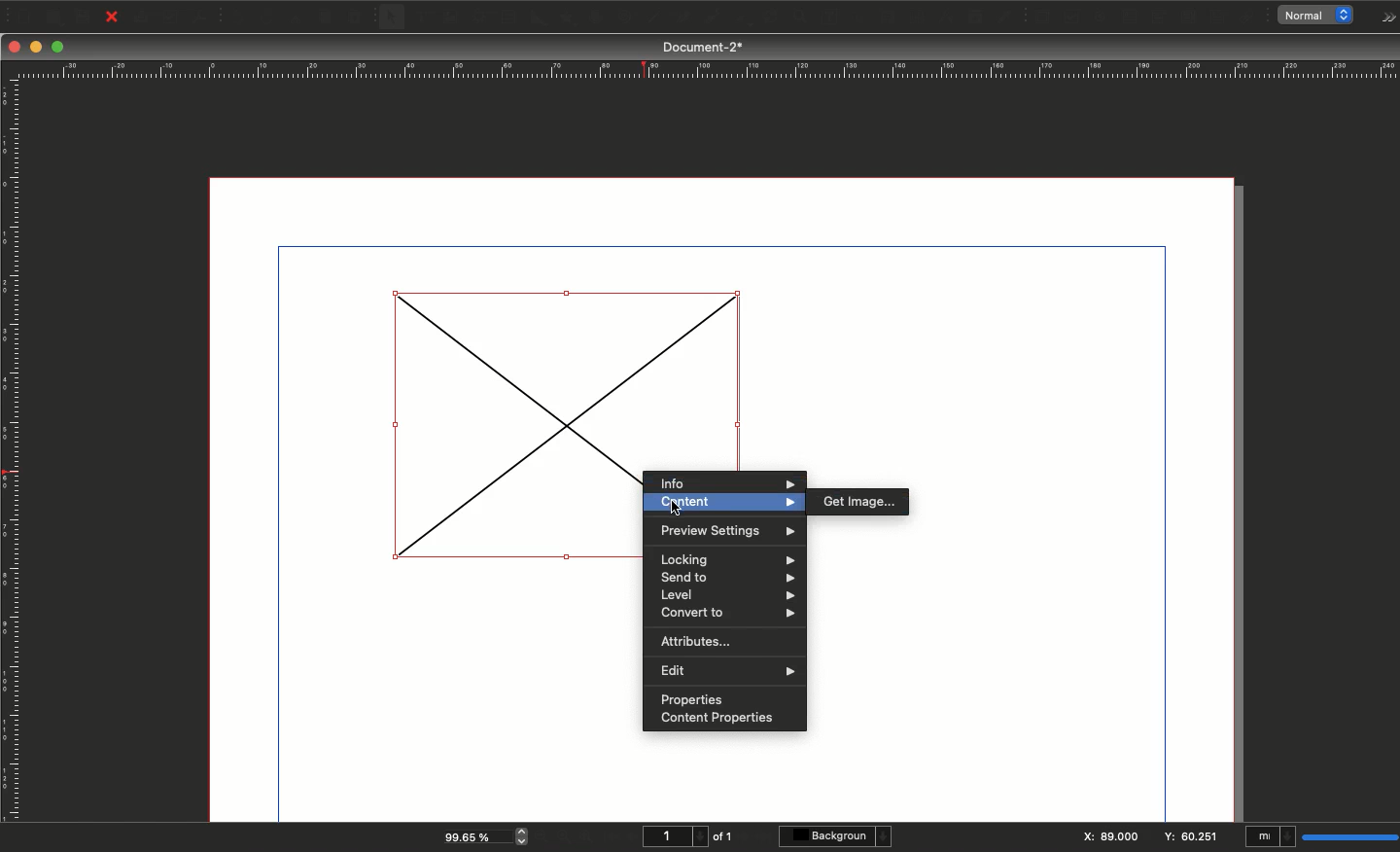 The width and height of the screenshot is (1400, 852). What do you see at coordinates (52, 18) in the screenshot?
I see `Open` at bounding box center [52, 18].